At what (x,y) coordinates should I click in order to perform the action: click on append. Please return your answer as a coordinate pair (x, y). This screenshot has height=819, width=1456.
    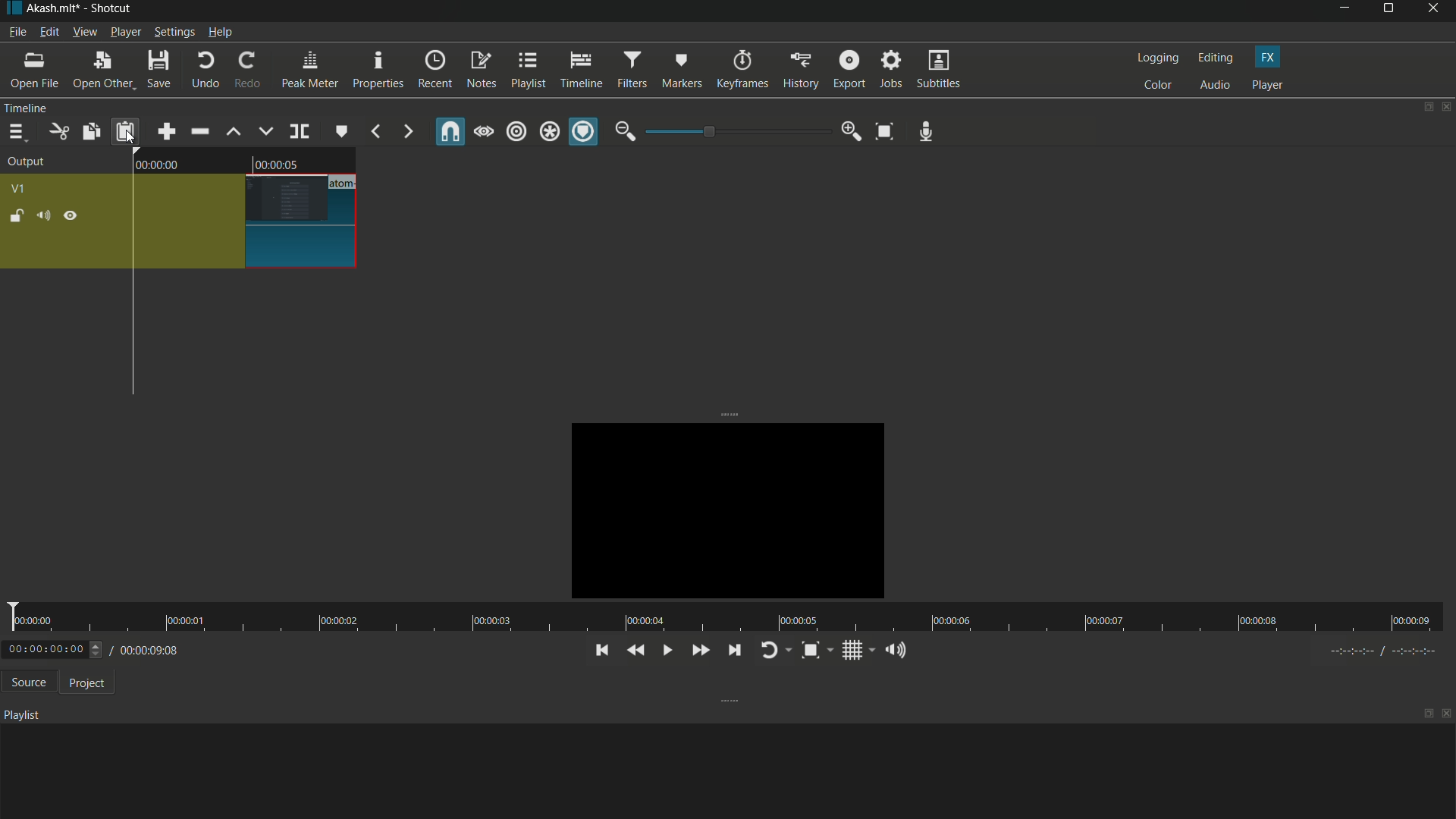
    Looking at the image, I should click on (168, 131).